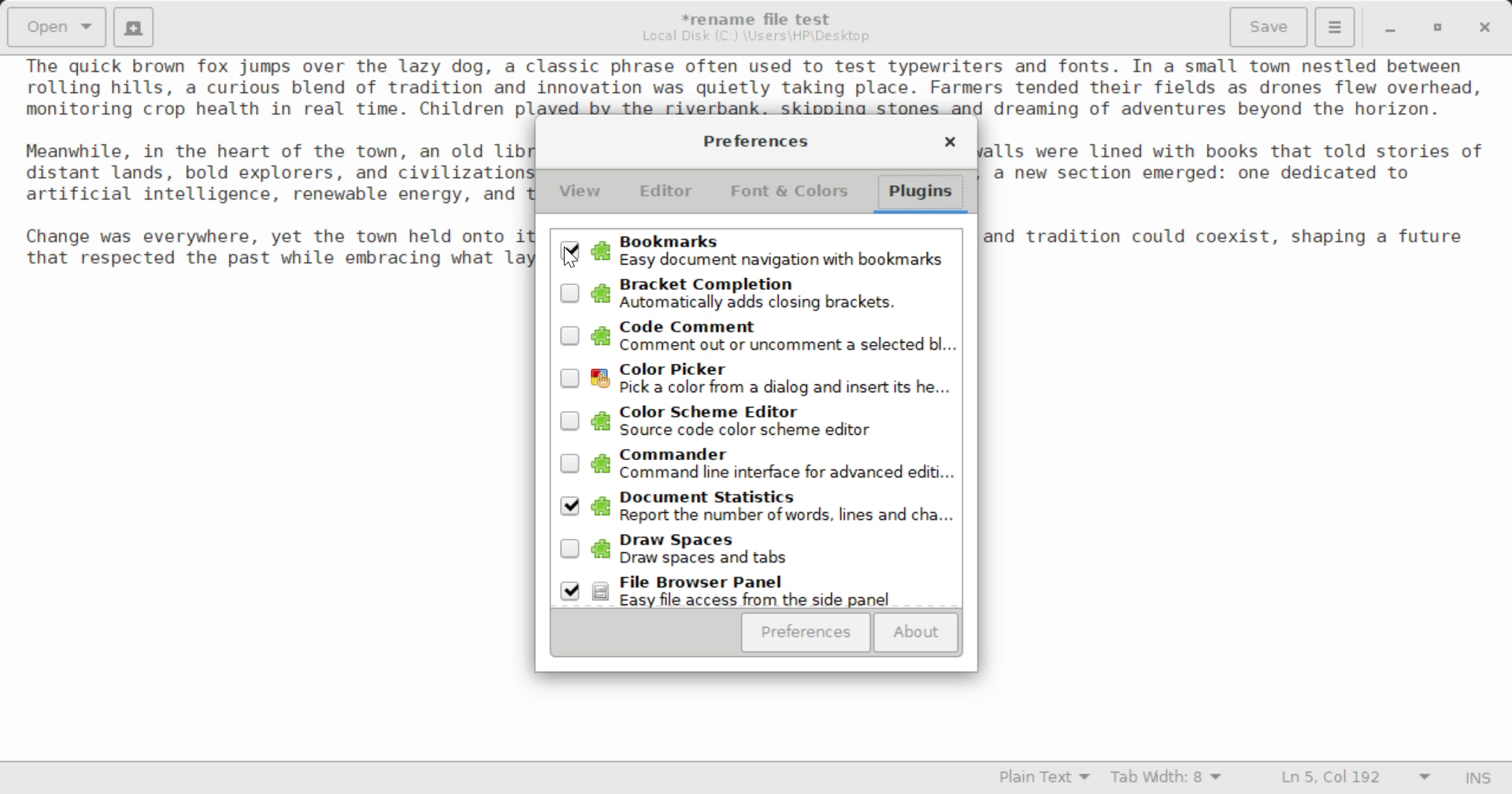 Image resolution: width=1512 pixels, height=794 pixels. Describe the element at coordinates (570, 250) in the screenshot. I see `Cursor Position to Unselect` at that location.